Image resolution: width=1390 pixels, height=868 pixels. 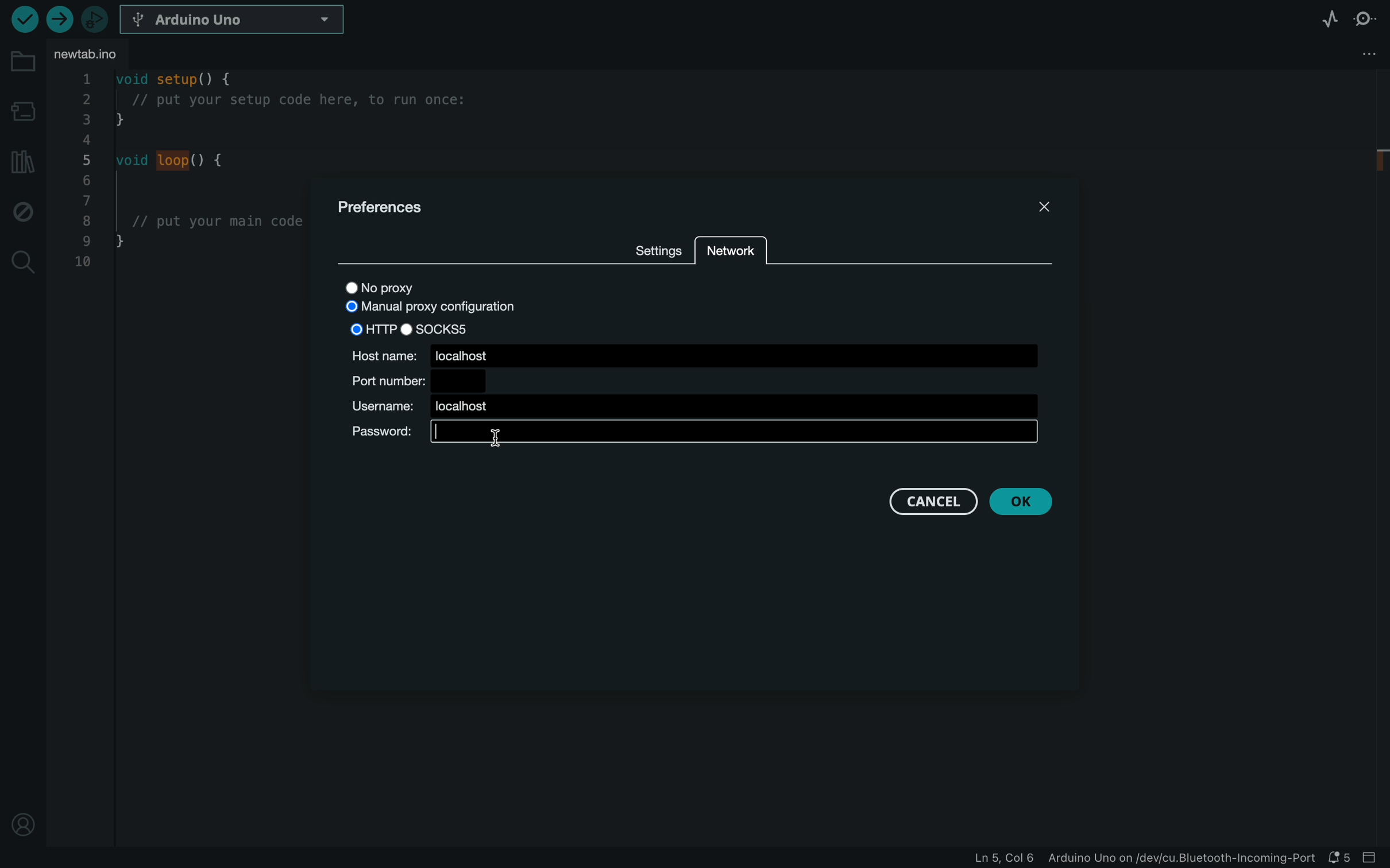 What do you see at coordinates (24, 19) in the screenshot?
I see `verify` at bounding box center [24, 19].